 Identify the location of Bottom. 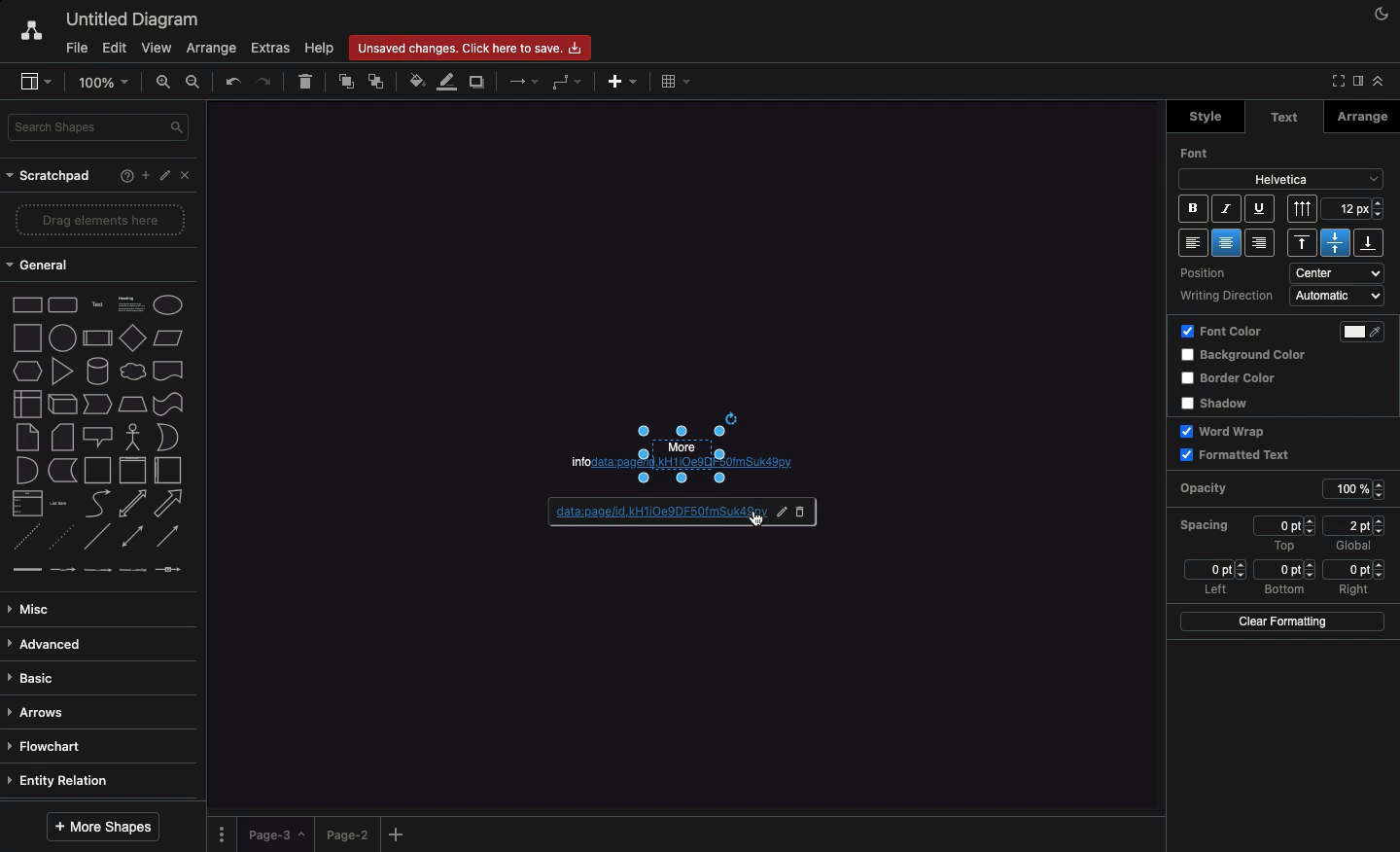
(1284, 590).